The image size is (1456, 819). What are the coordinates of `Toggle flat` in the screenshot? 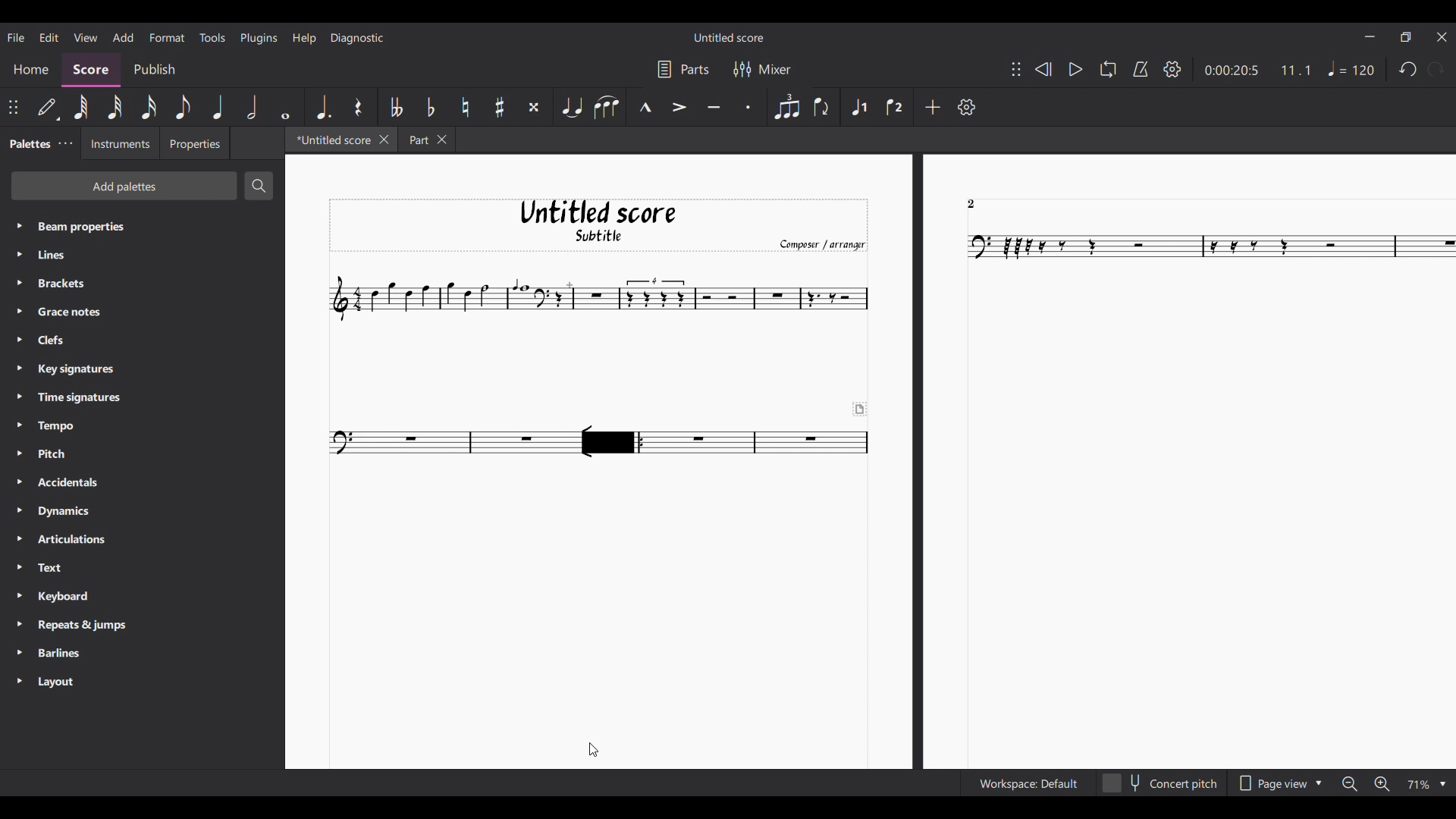 It's located at (431, 107).